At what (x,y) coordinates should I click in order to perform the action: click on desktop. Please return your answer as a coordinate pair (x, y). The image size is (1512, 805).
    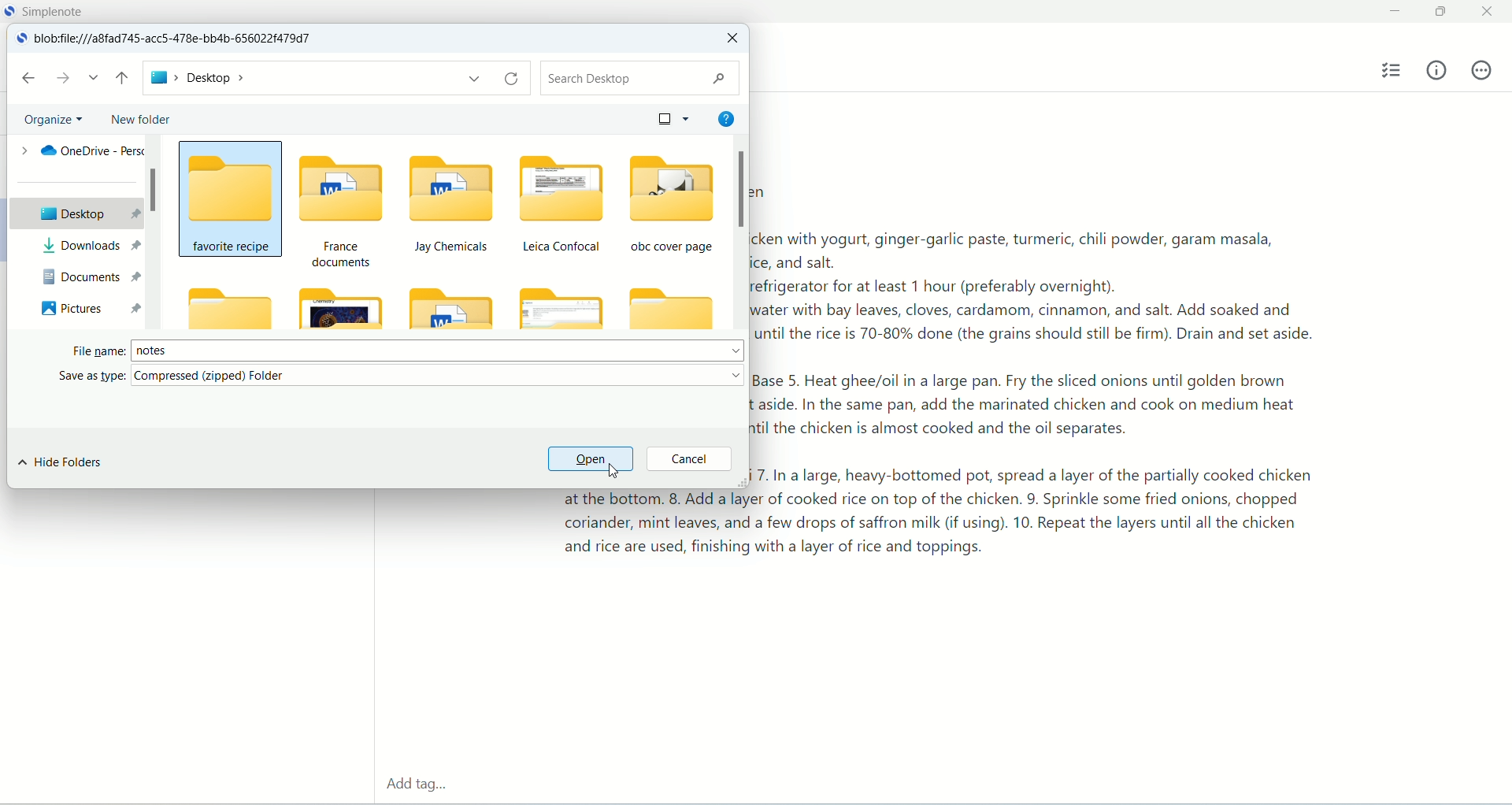
    Looking at the image, I should click on (335, 79).